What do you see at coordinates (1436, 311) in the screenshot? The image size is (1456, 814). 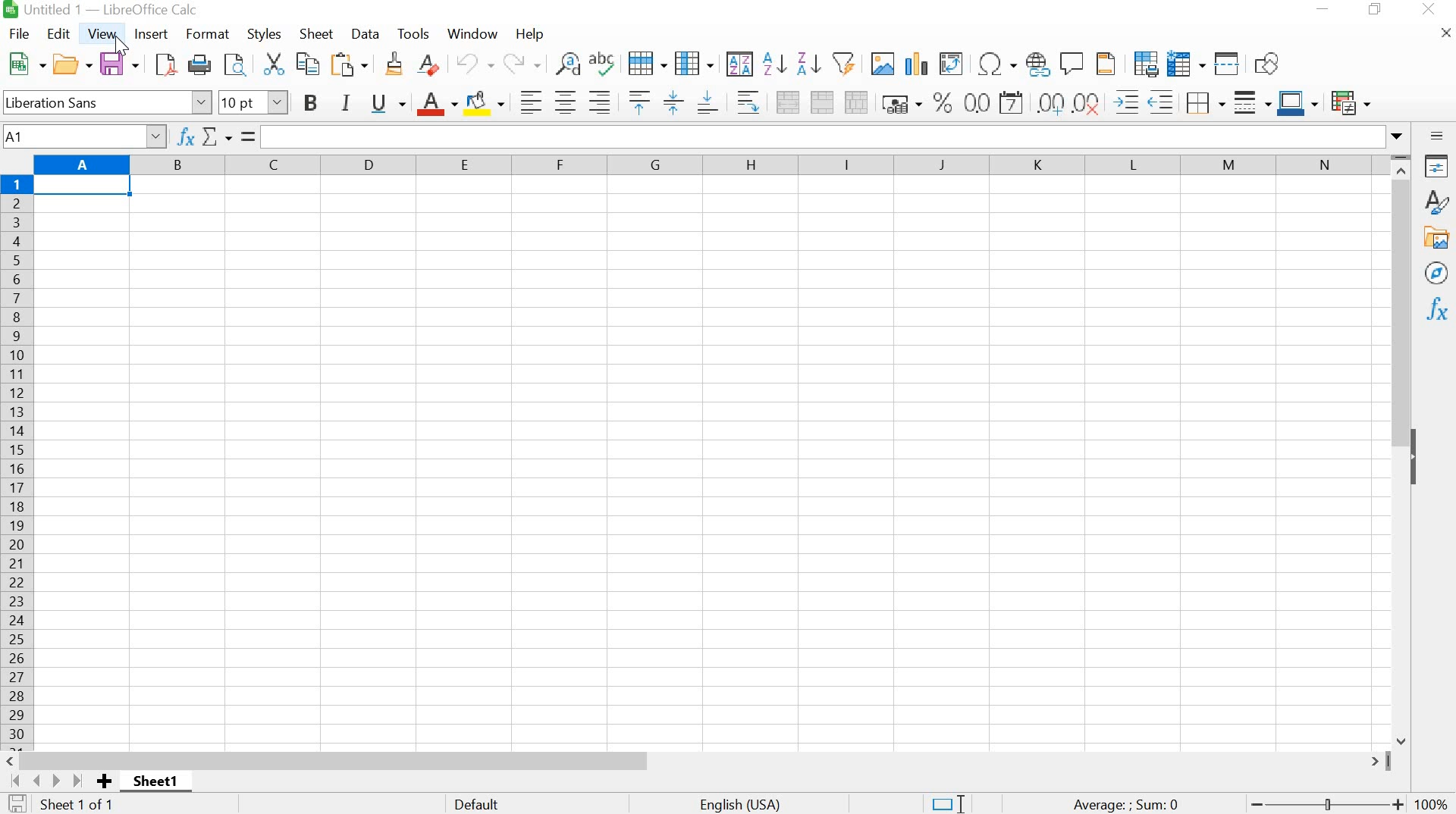 I see `FUNCTIONS` at bounding box center [1436, 311].